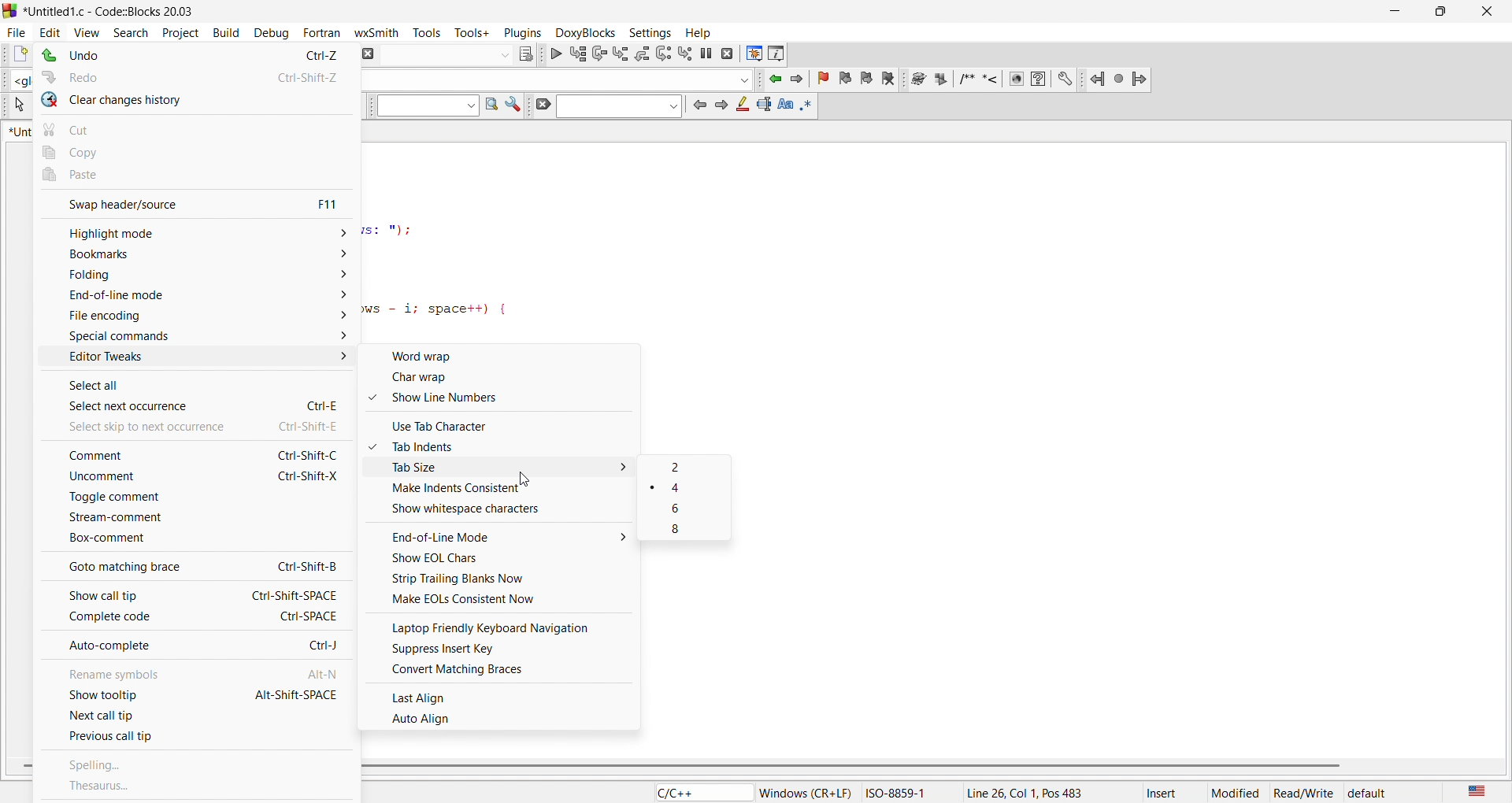  Describe the element at coordinates (195, 152) in the screenshot. I see `copy` at that location.